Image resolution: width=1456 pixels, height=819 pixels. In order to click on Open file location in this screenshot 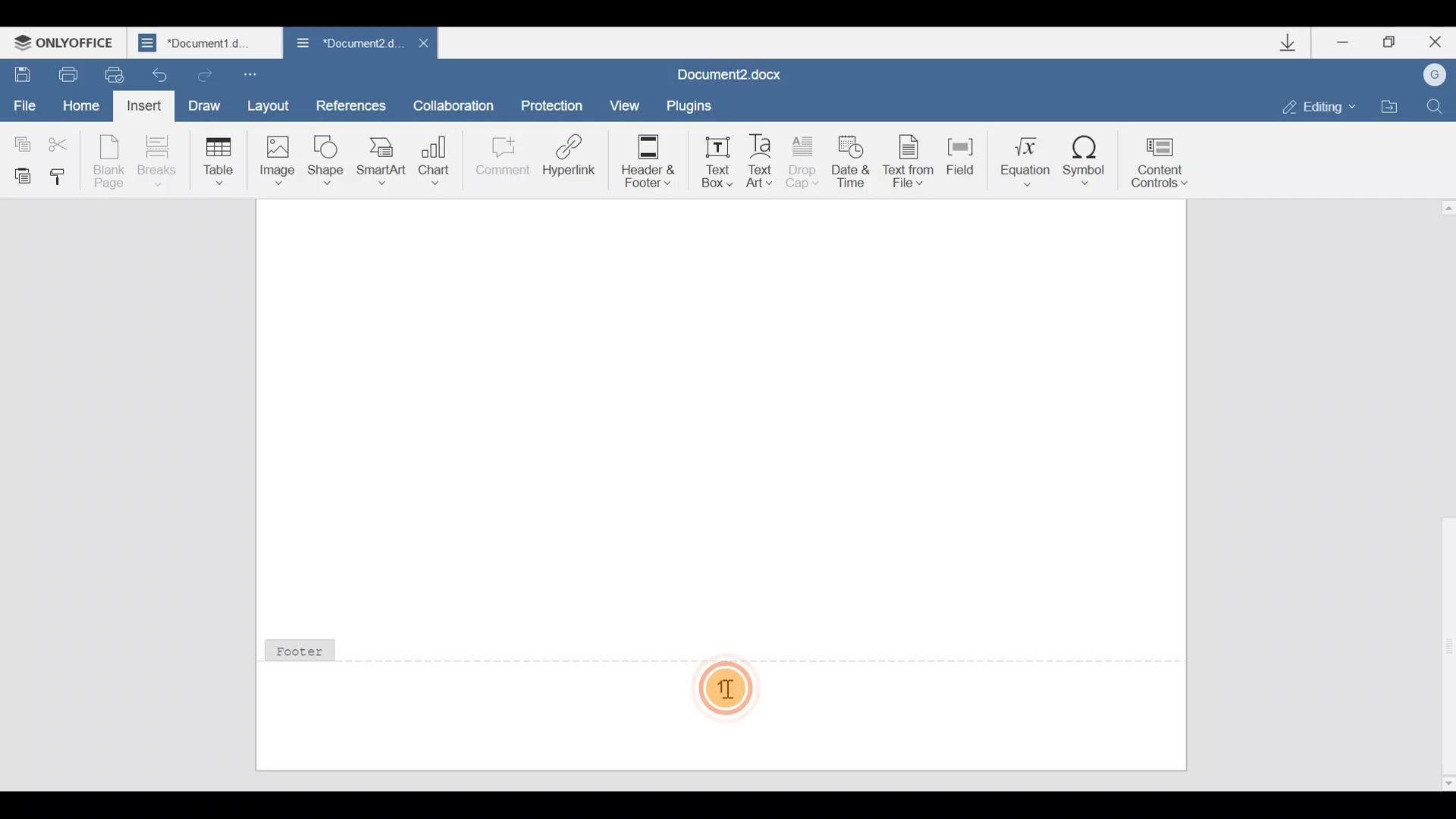, I will do `click(1392, 105)`.